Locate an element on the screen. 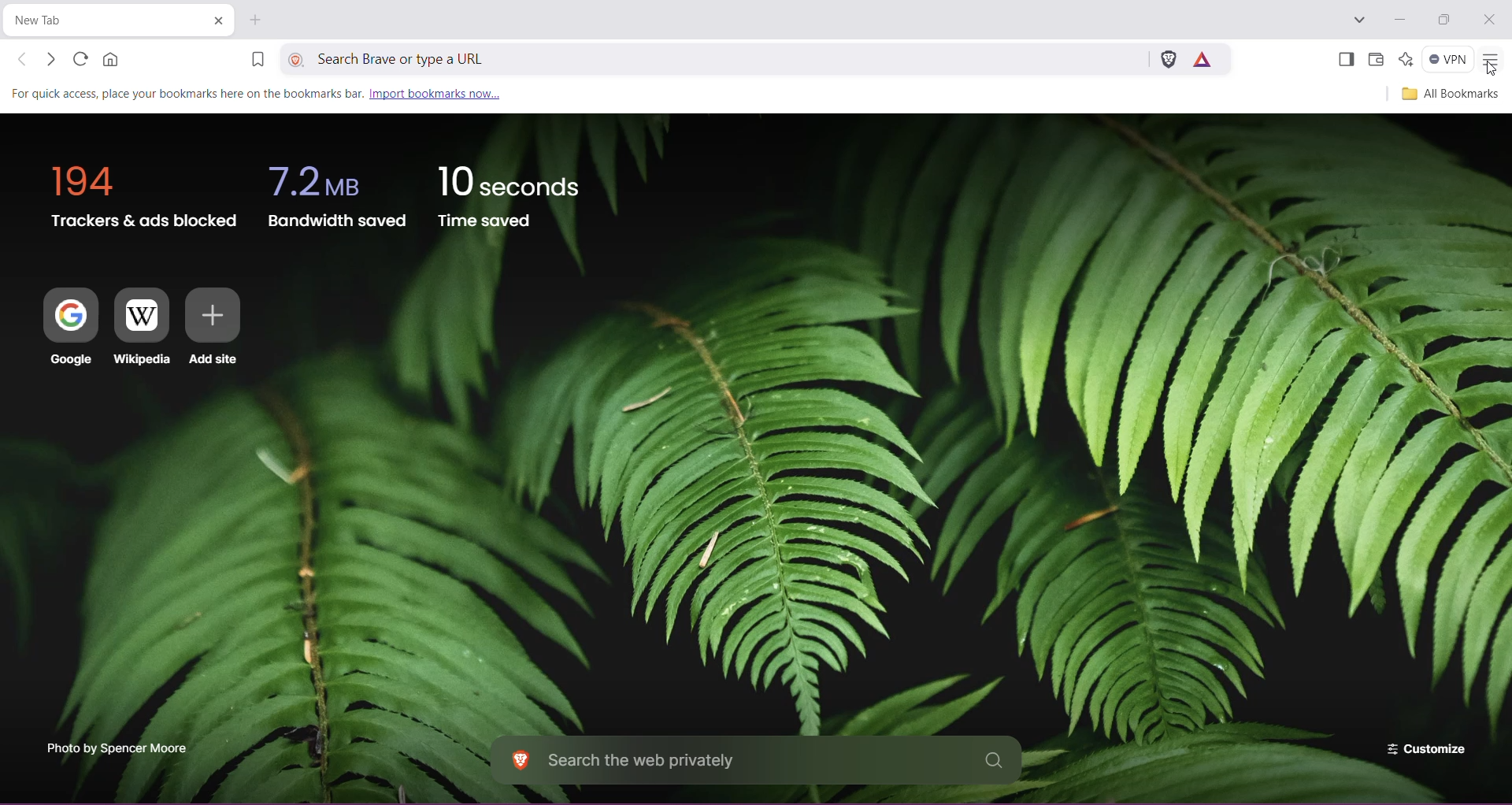  Customize and control Brave is located at coordinates (1490, 61).